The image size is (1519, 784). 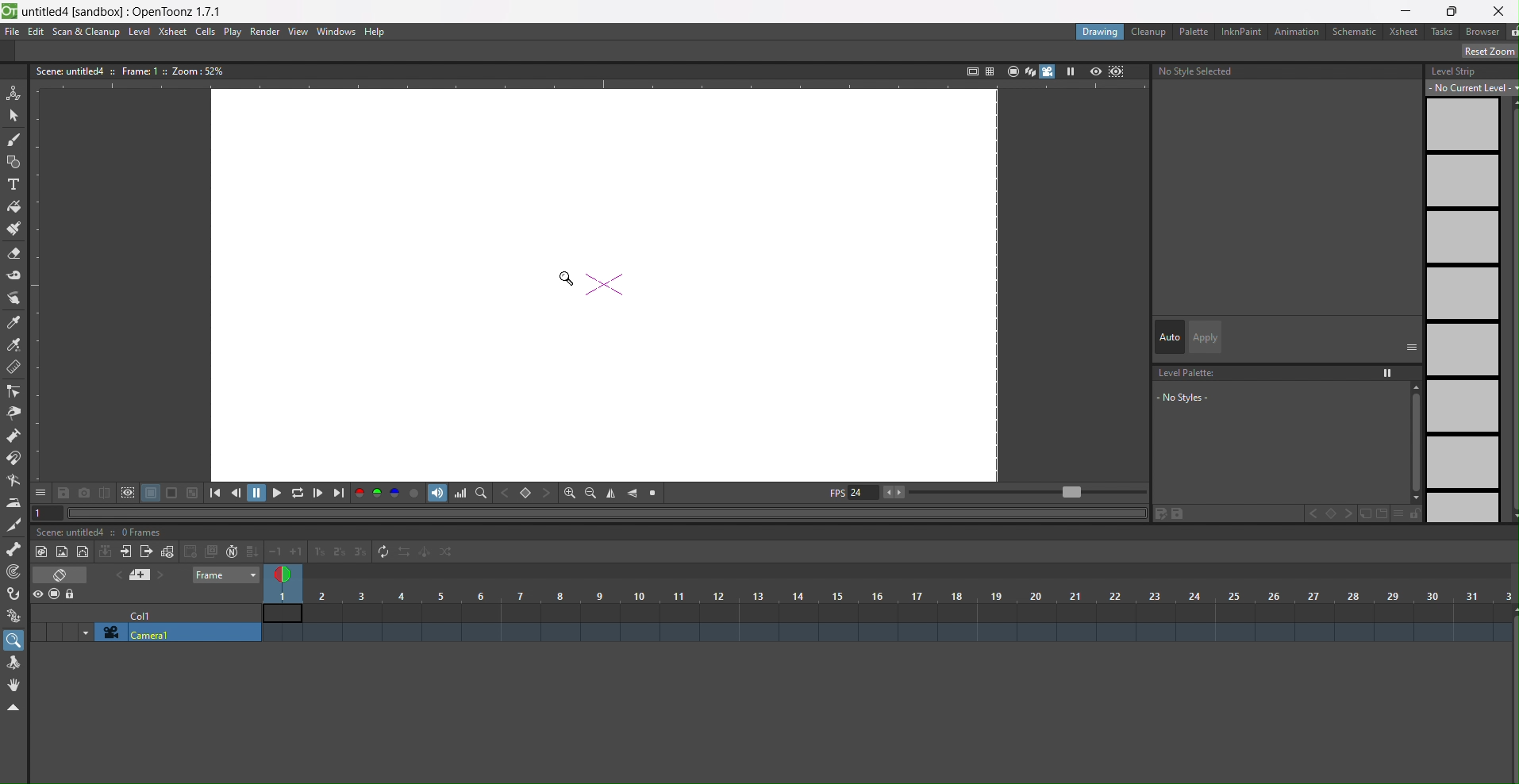 I want to click on play, so click(x=234, y=33).